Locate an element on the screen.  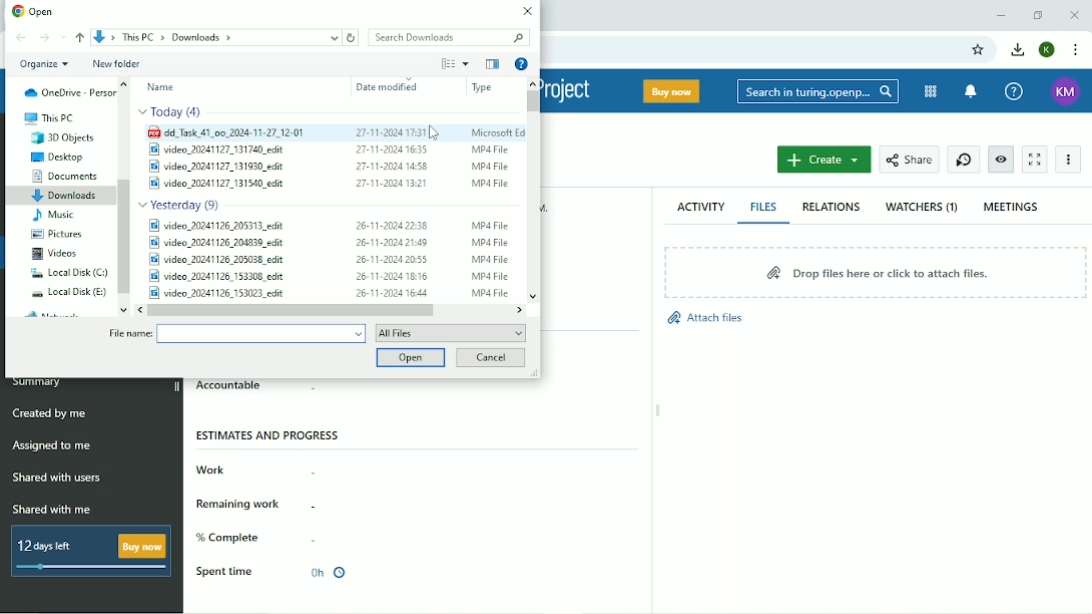
Downloads is located at coordinates (66, 197).